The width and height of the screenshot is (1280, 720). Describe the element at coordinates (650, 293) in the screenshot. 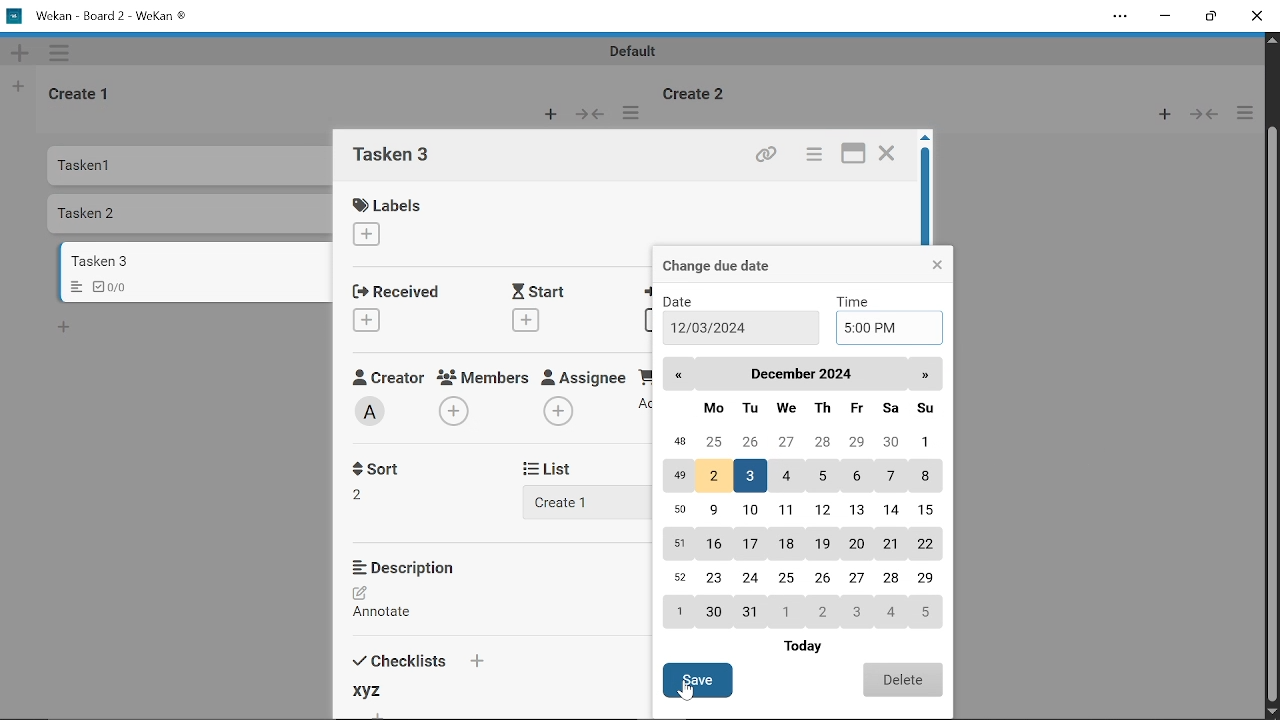

I see `Due` at that location.